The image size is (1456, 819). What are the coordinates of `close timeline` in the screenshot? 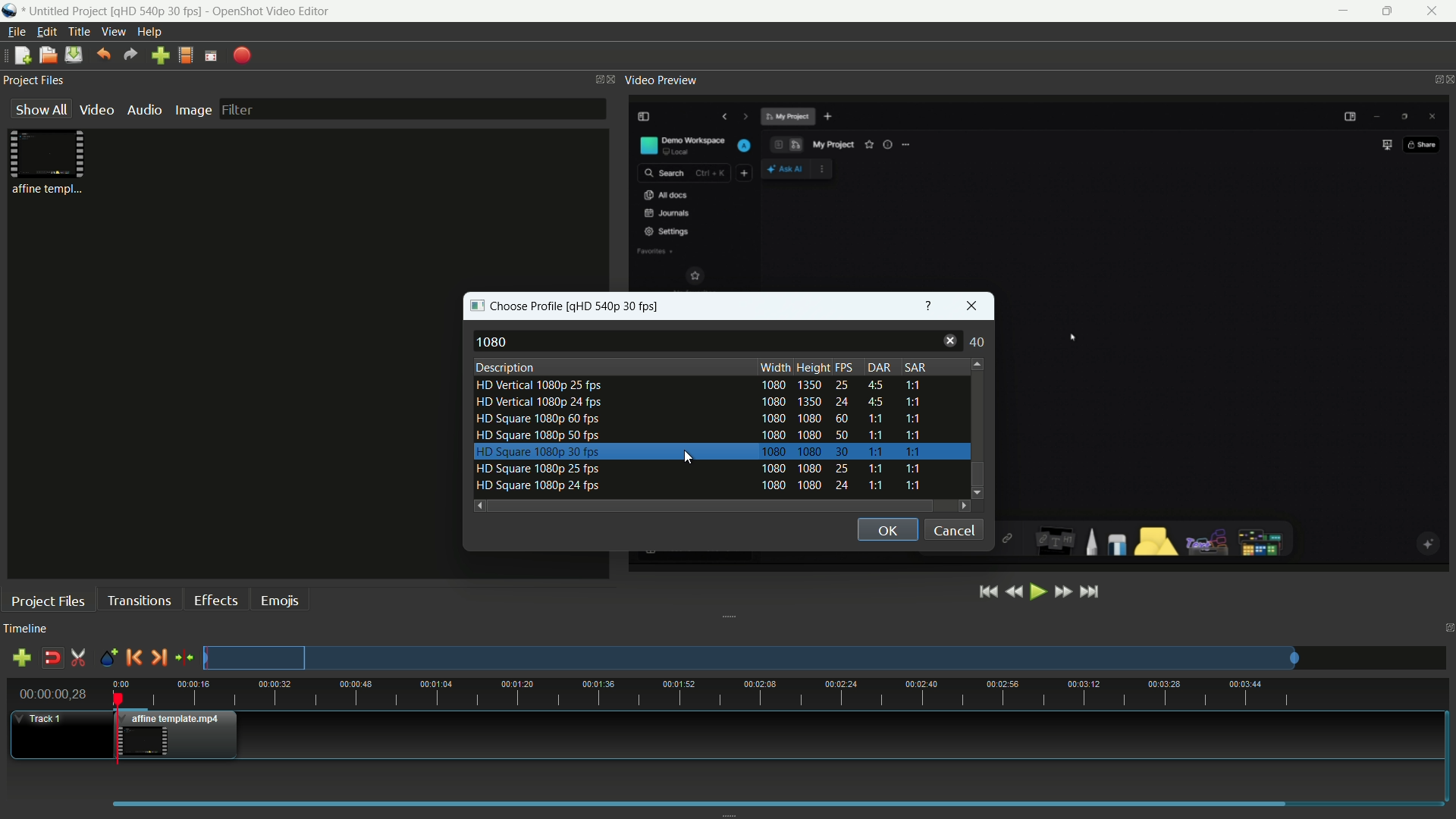 It's located at (1447, 629).